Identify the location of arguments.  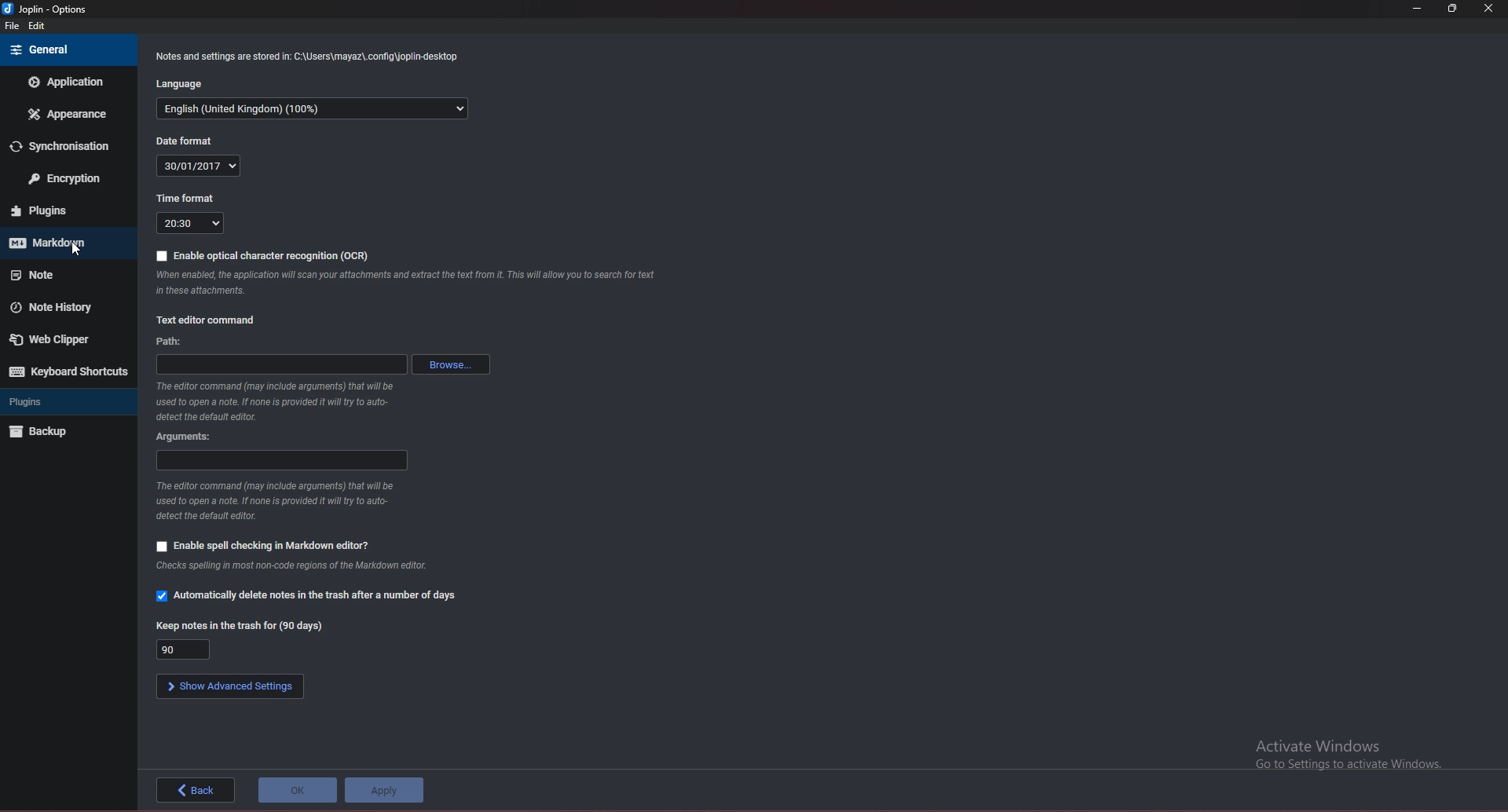
(188, 437).